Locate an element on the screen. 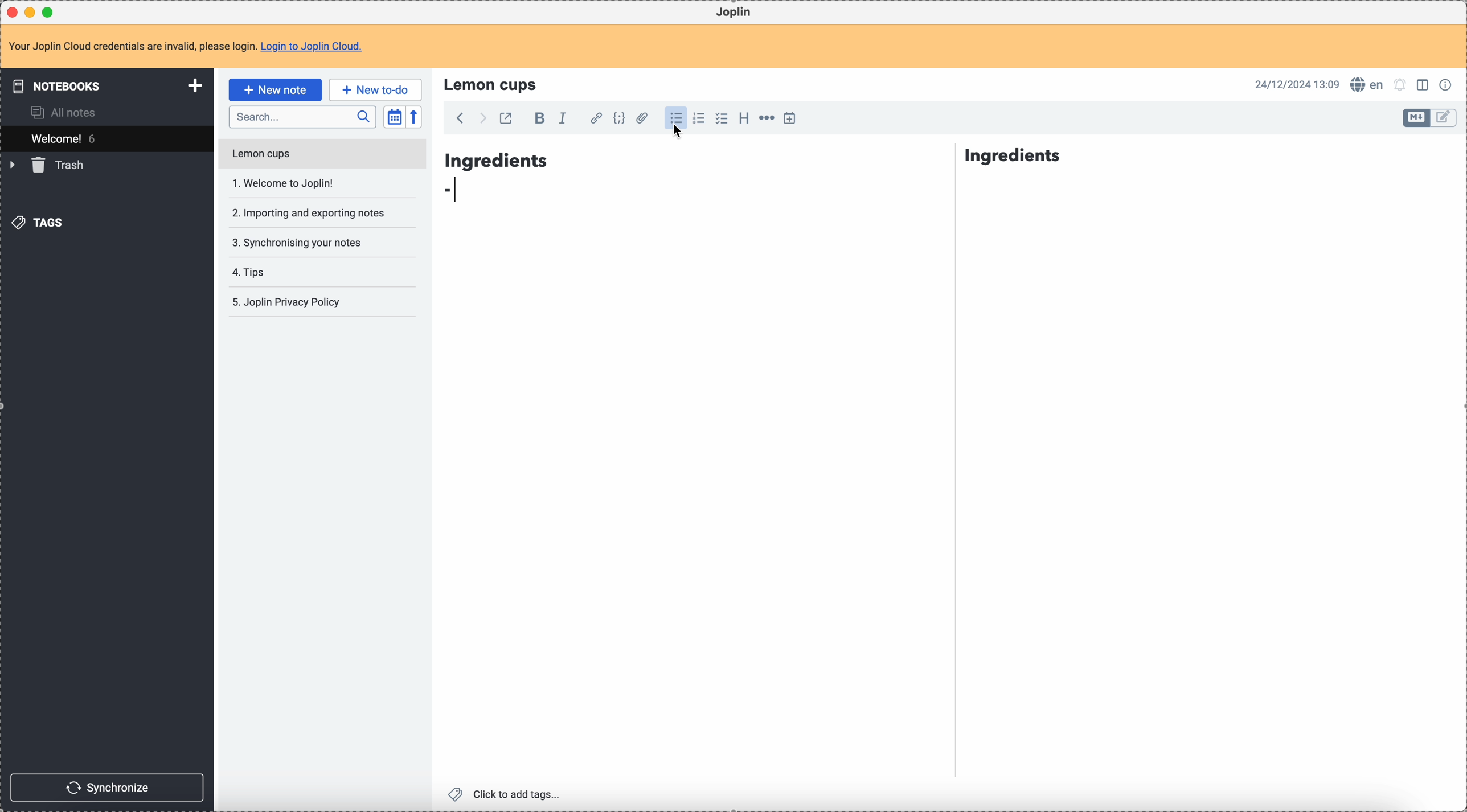 Image resolution: width=1467 pixels, height=812 pixels. italic is located at coordinates (562, 117).